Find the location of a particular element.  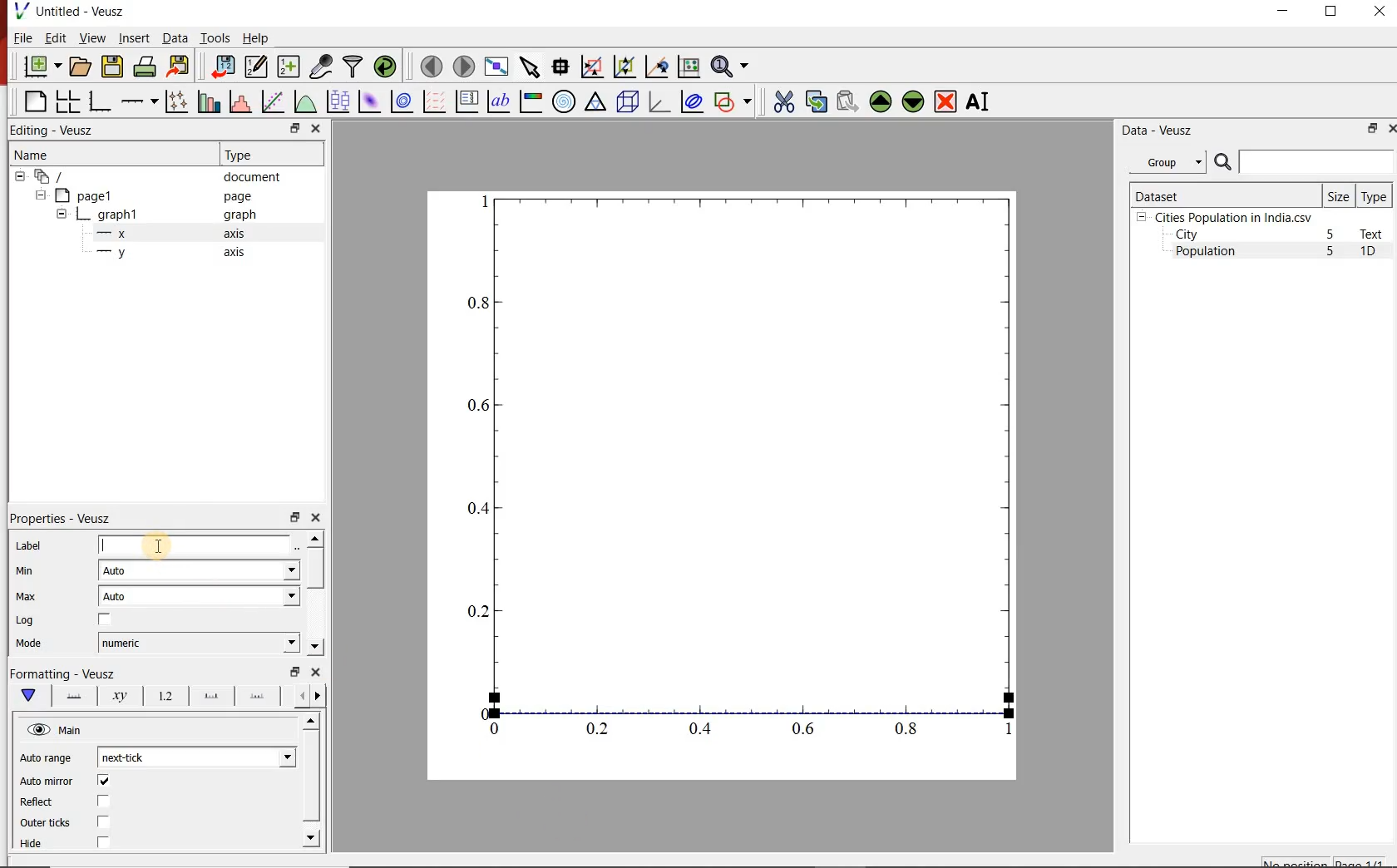

Untitled-Veusz is located at coordinates (71, 12).